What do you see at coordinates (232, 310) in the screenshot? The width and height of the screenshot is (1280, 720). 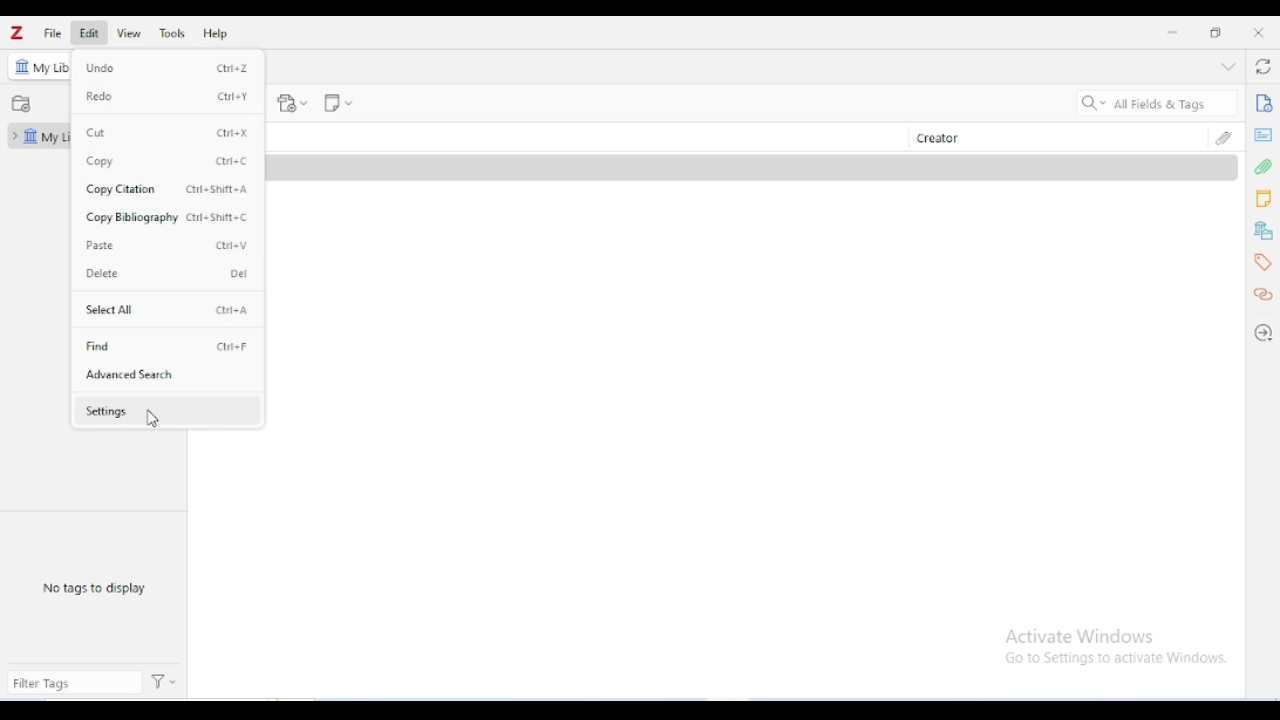 I see `ctrl+A` at bounding box center [232, 310].